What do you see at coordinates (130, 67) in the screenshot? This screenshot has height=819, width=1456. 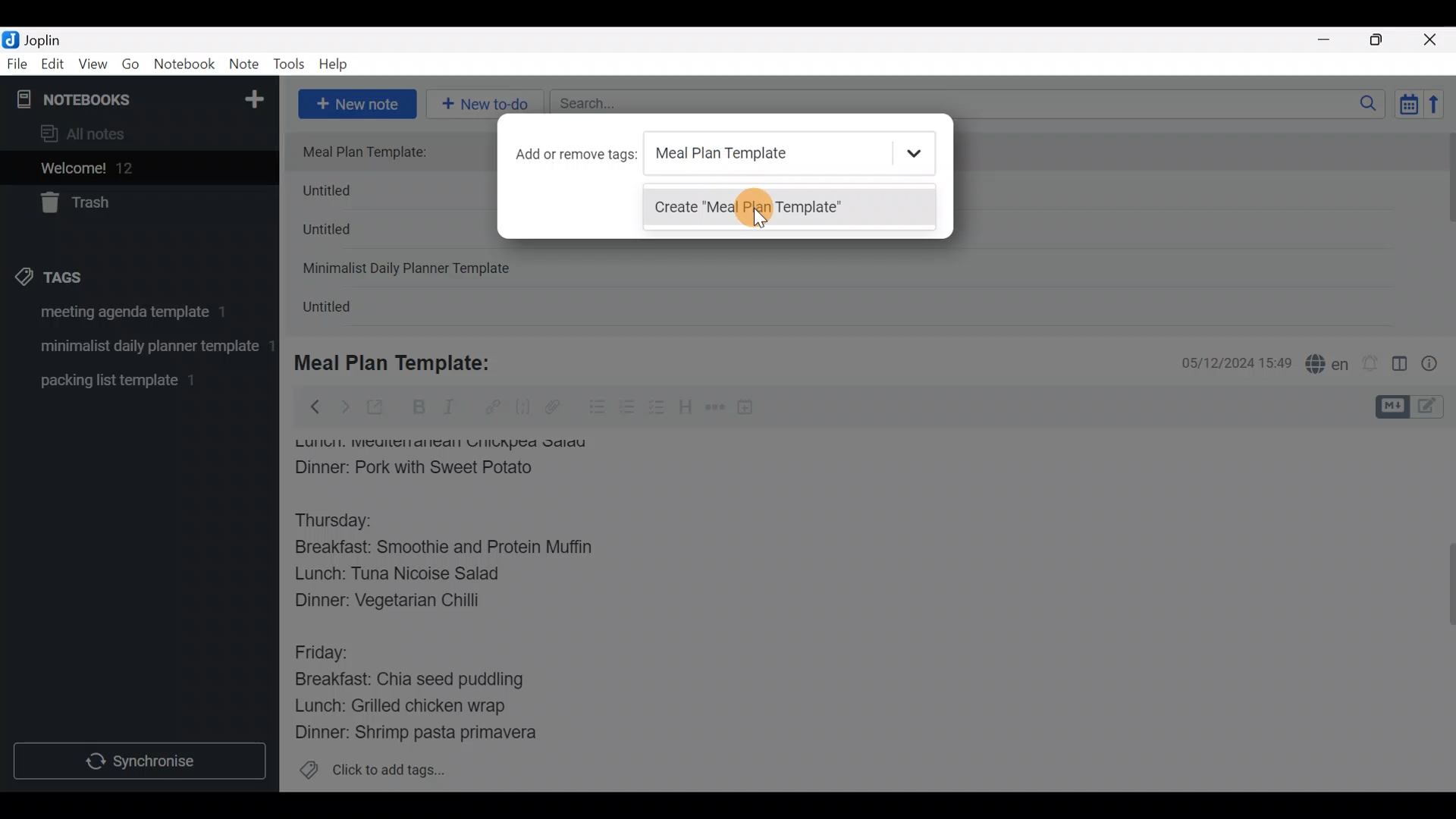 I see `Go` at bounding box center [130, 67].